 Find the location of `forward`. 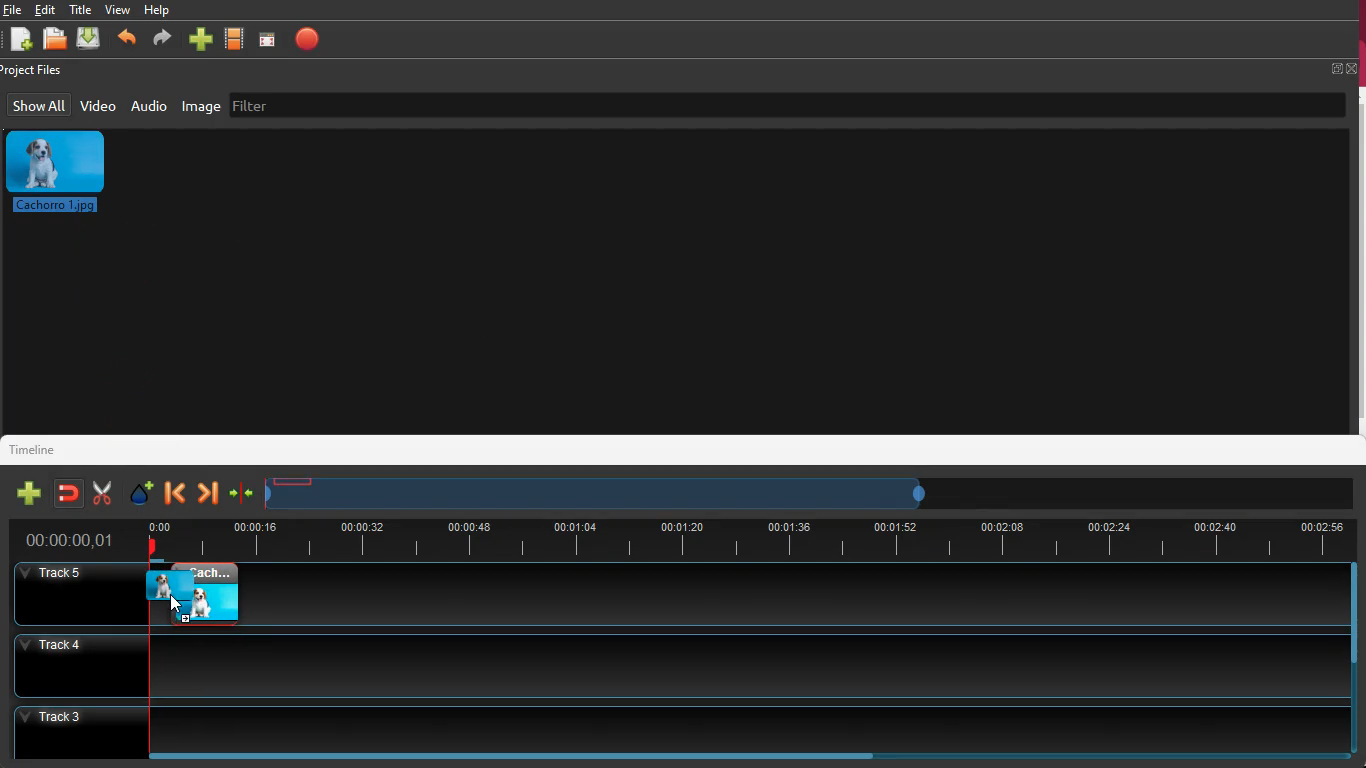

forward is located at coordinates (207, 494).